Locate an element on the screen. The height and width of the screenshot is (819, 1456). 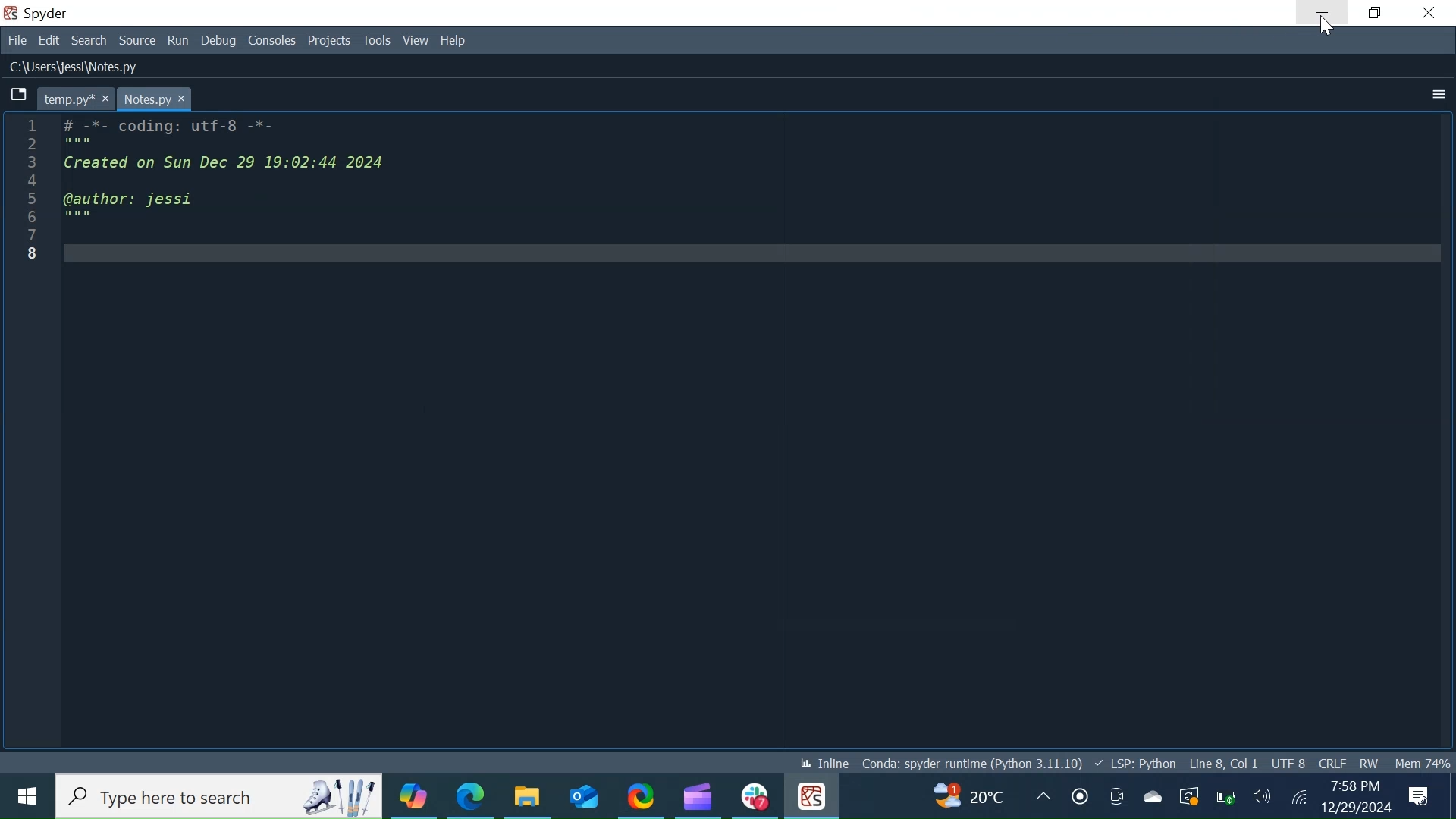
Microsoft Edge is located at coordinates (471, 794).